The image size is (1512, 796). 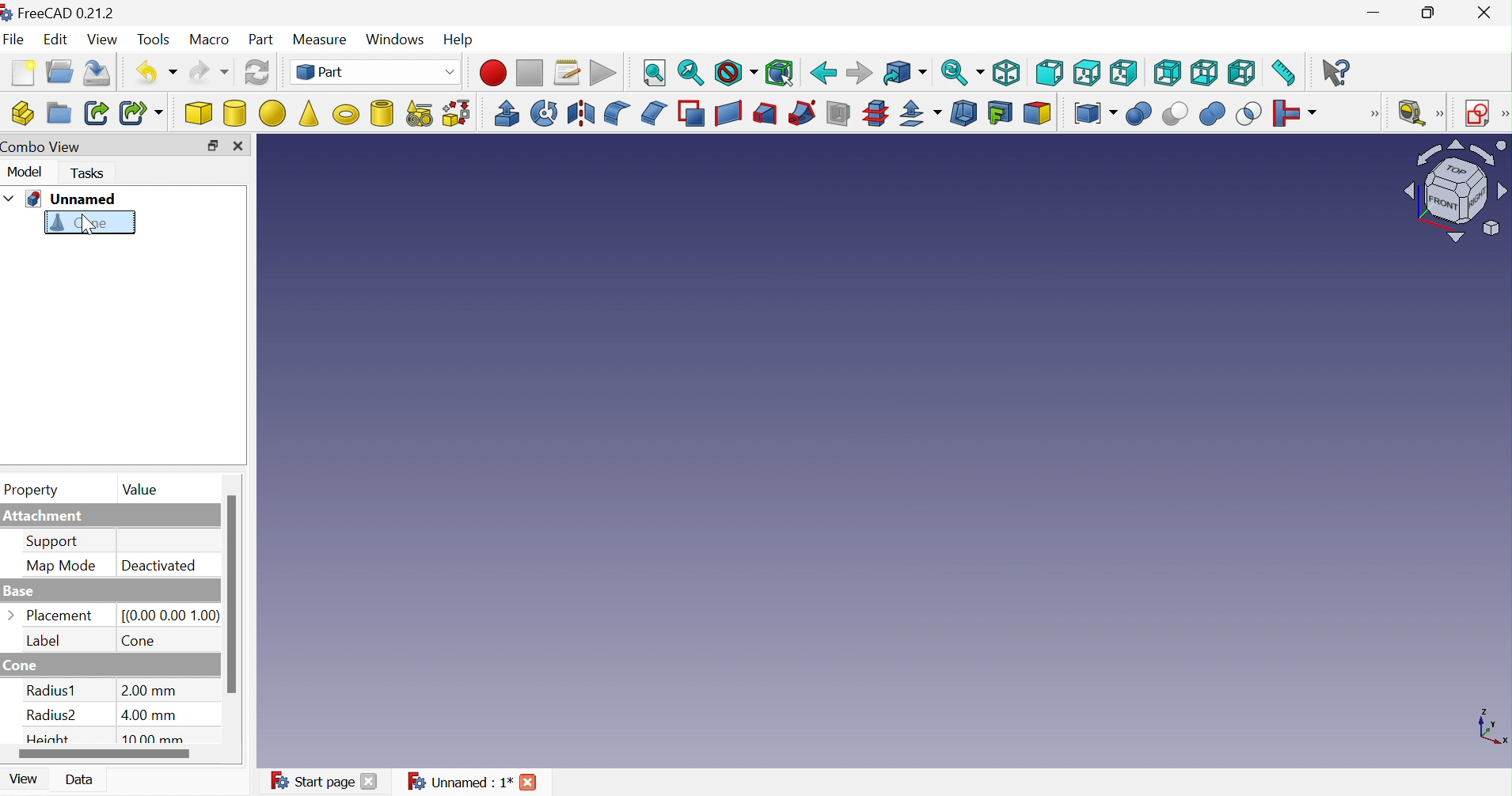 I want to click on Cube, so click(x=199, y=115).